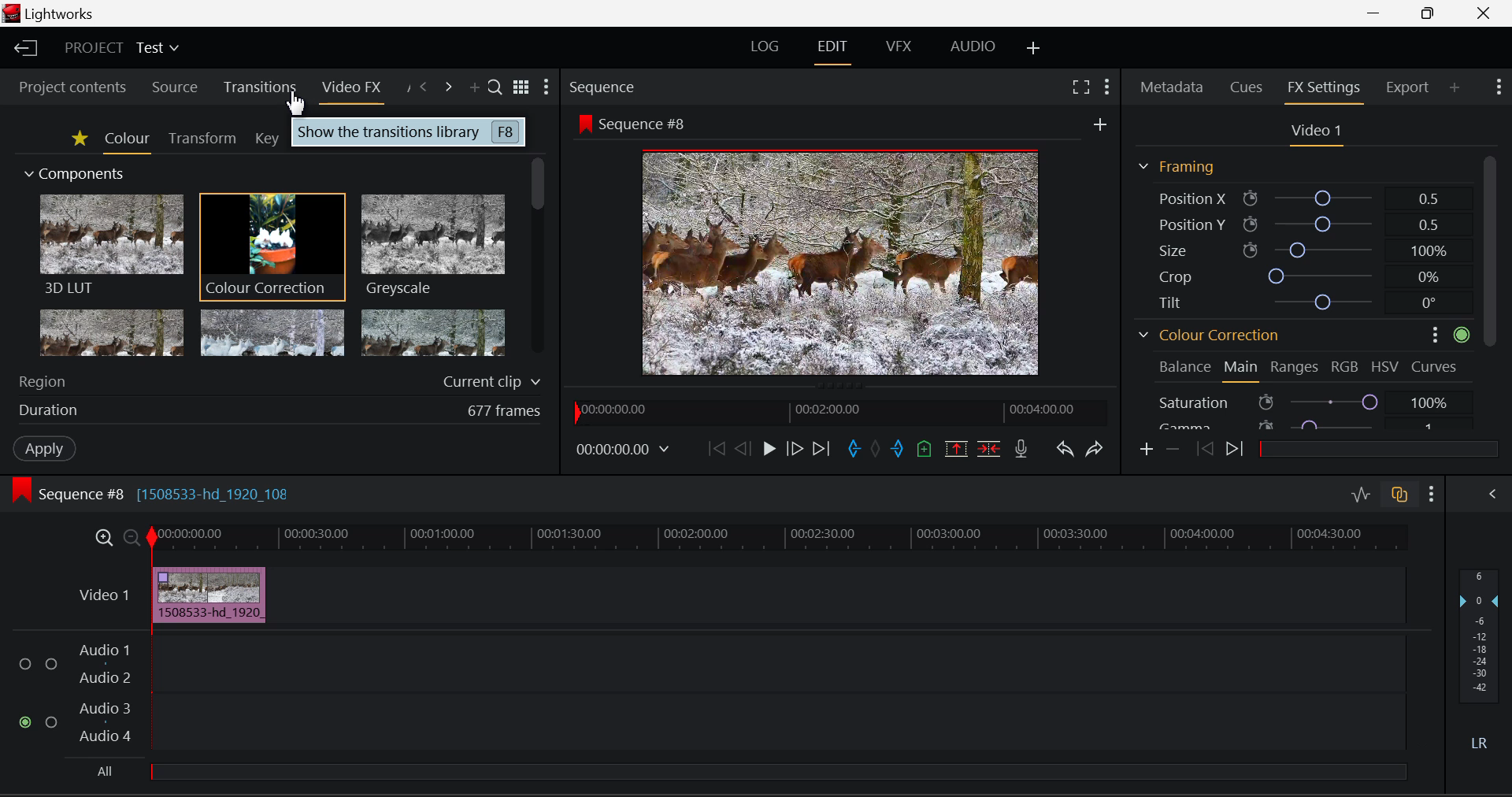  Describe the element at coordinates (1295, 369) in the screenshot. I see `Ranges` at that location.